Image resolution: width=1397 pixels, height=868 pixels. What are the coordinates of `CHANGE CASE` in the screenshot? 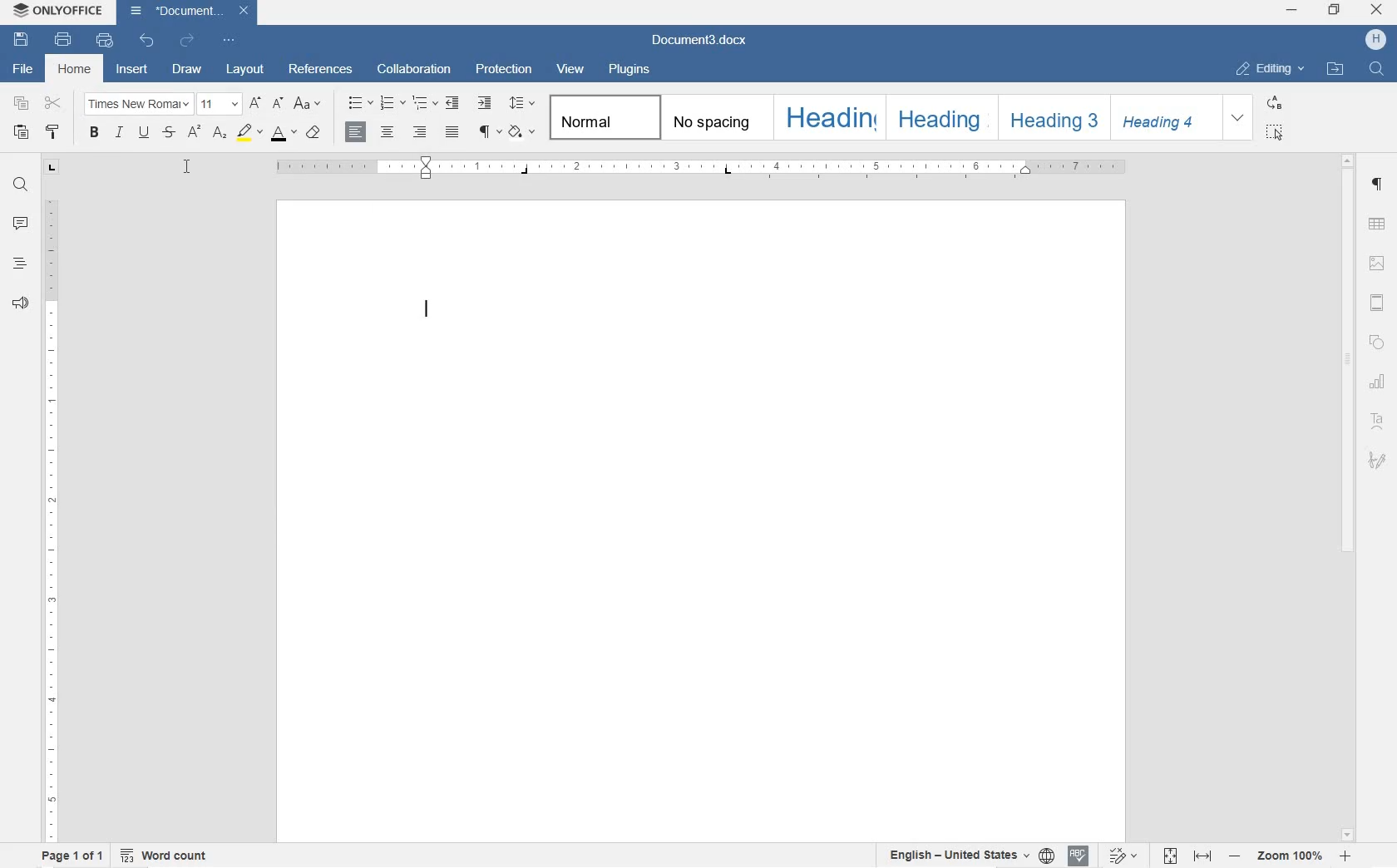 It's located at (311, 104).